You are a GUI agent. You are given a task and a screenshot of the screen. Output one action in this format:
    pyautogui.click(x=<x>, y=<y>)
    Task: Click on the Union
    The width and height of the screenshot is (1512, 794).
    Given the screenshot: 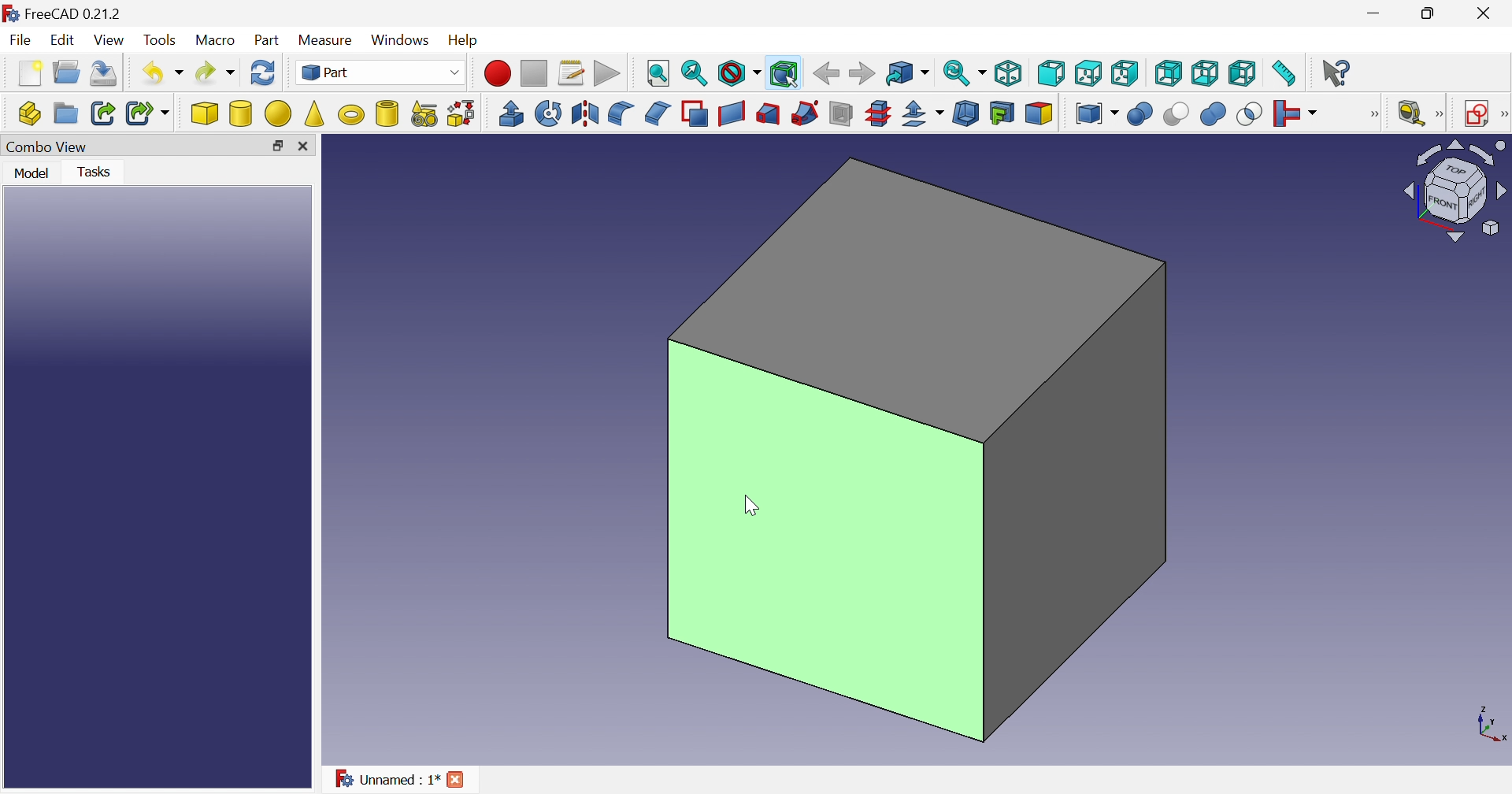 What is the action you would take?
    pyautogui.click(x=1213, y=113)
    